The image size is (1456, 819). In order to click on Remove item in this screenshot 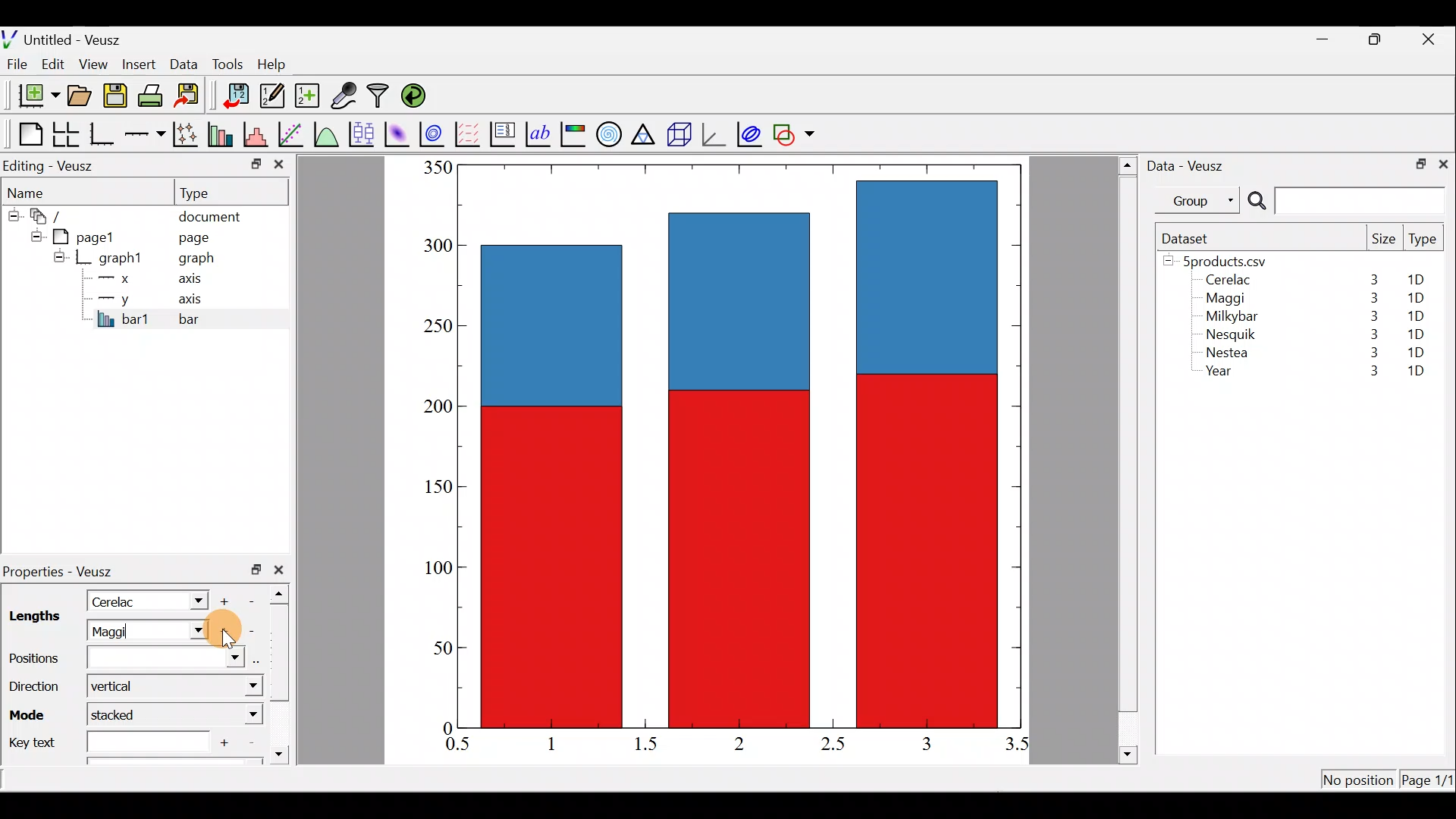, I will do `click(250, 743)`.